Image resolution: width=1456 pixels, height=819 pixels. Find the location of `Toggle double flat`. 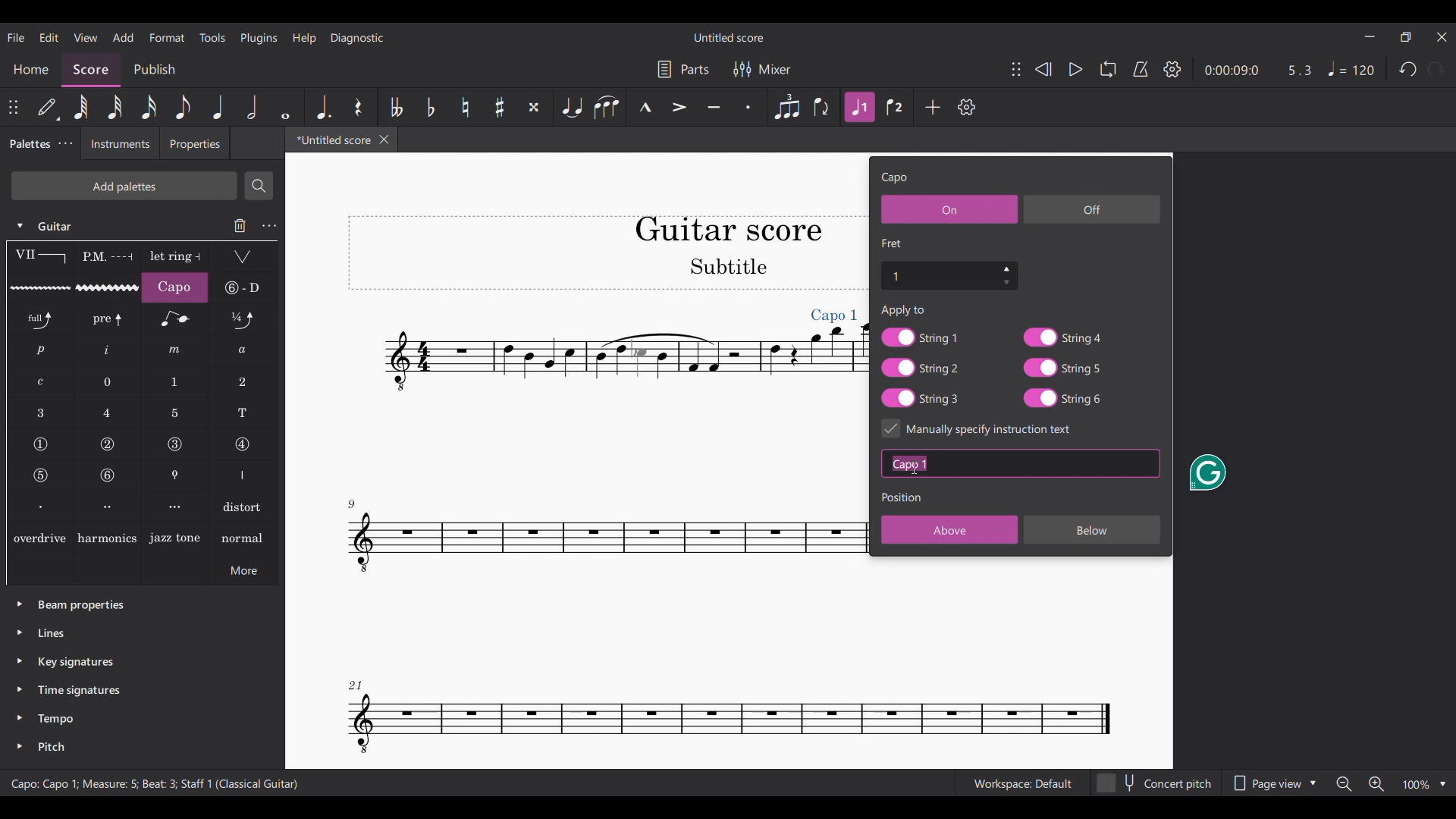

Toggle double flat is located at coordinates (396, 107).